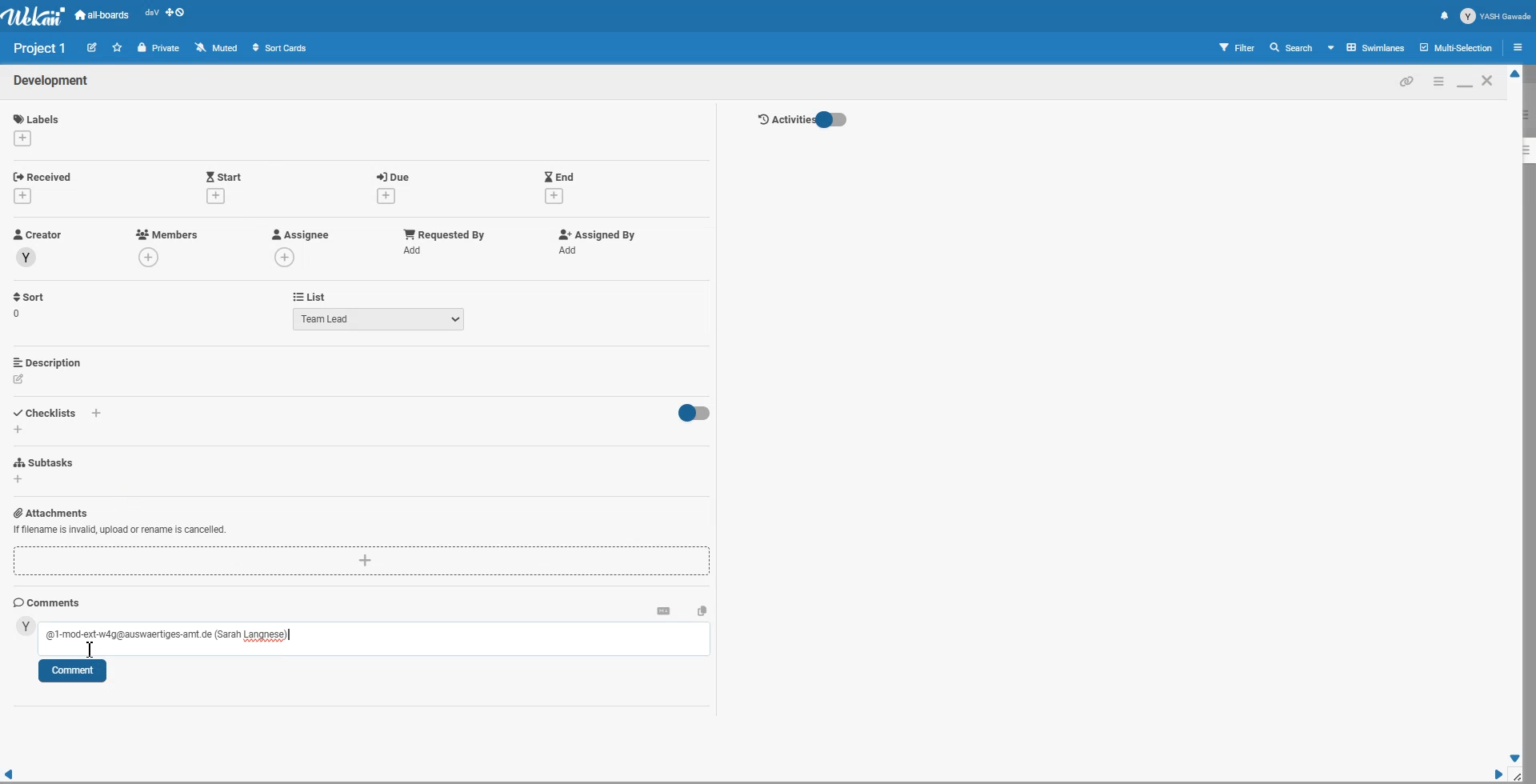 The image size is (1536, 784). What do you see at coordinates (26, 195) in the screenshot?
I see `add` at bounding box center [26, 195].